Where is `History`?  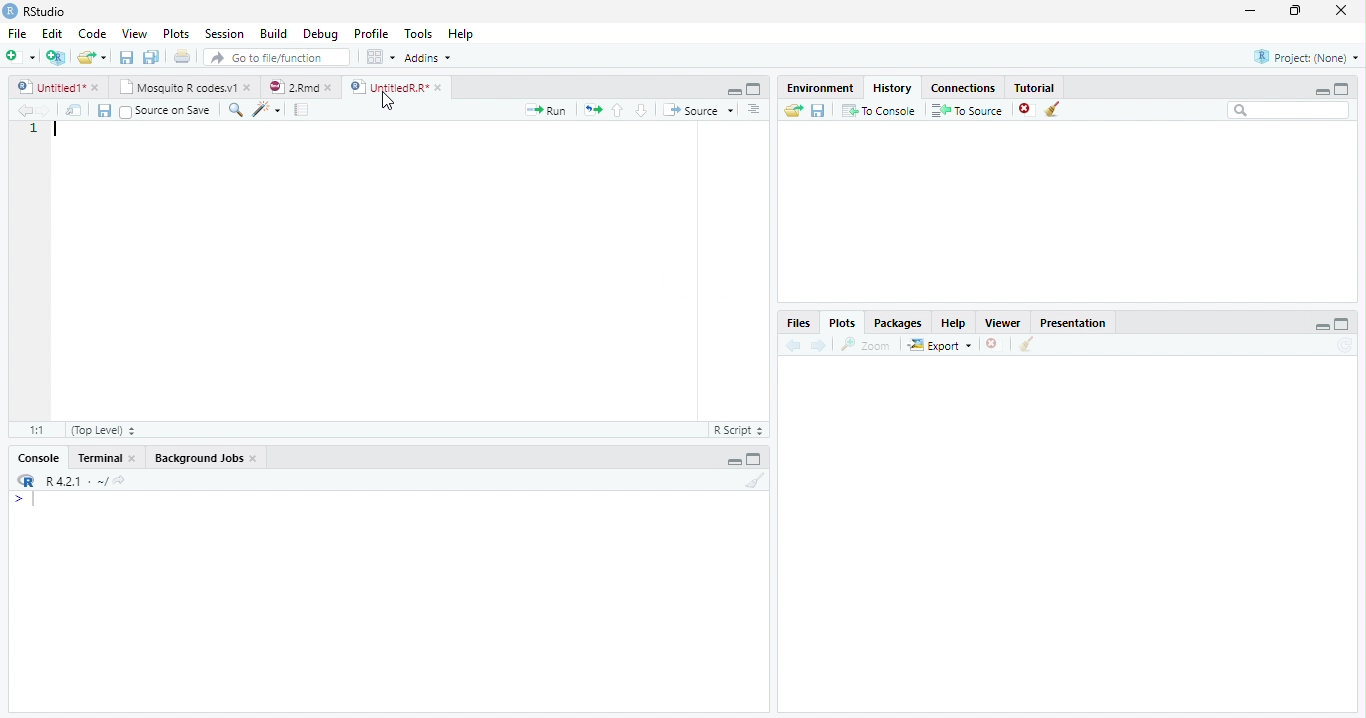 History is located at coordinates (893, 88).